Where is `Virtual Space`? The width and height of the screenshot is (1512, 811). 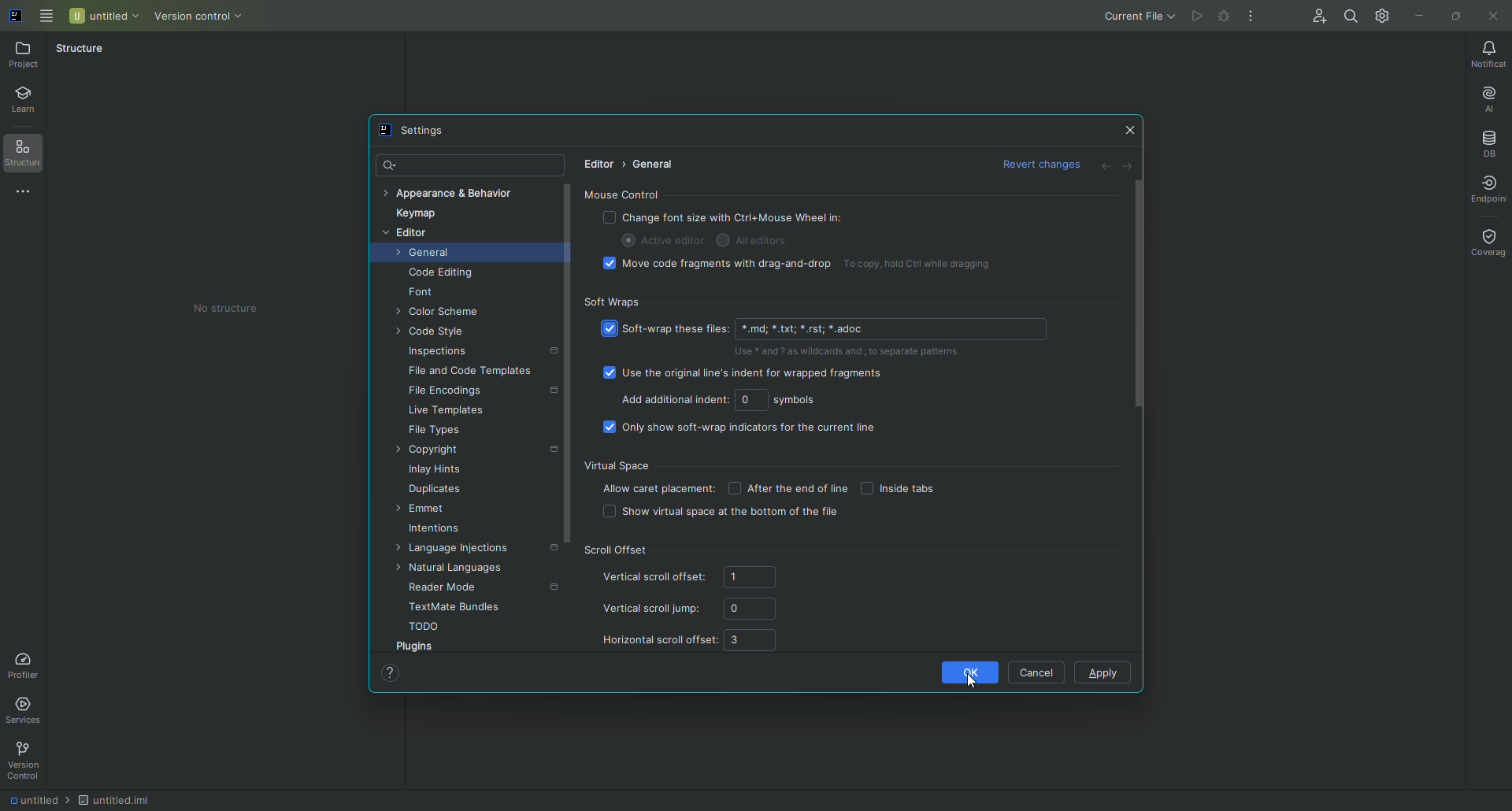 Virtual Space is located at coordinates (803, 490).